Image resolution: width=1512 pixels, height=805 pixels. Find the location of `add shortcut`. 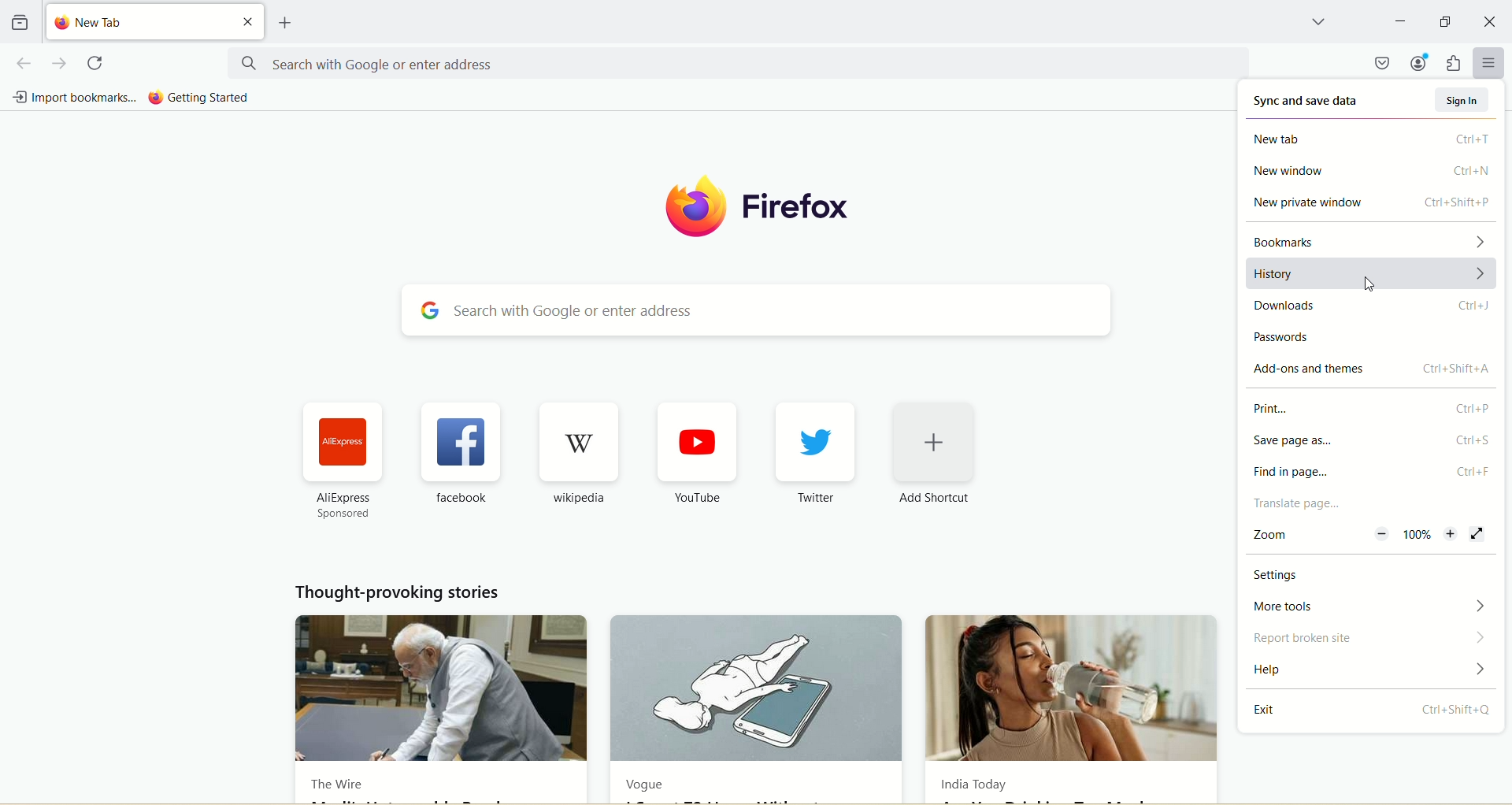

add shortcut is located at coordinates (933, 441).